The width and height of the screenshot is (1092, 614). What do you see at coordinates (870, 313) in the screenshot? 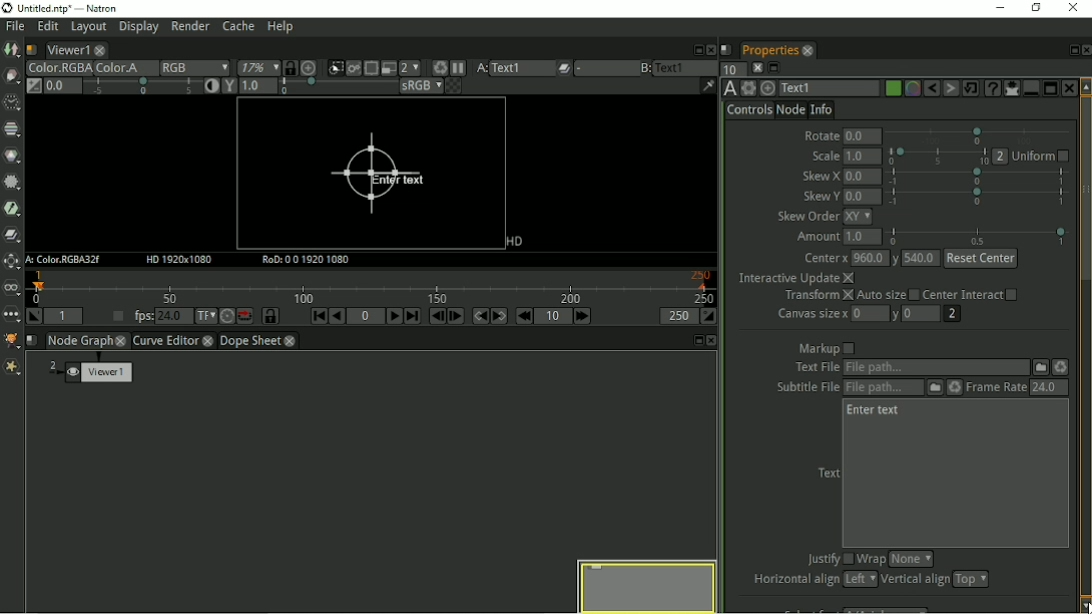
I see `0` at bounding box center [870, 313].